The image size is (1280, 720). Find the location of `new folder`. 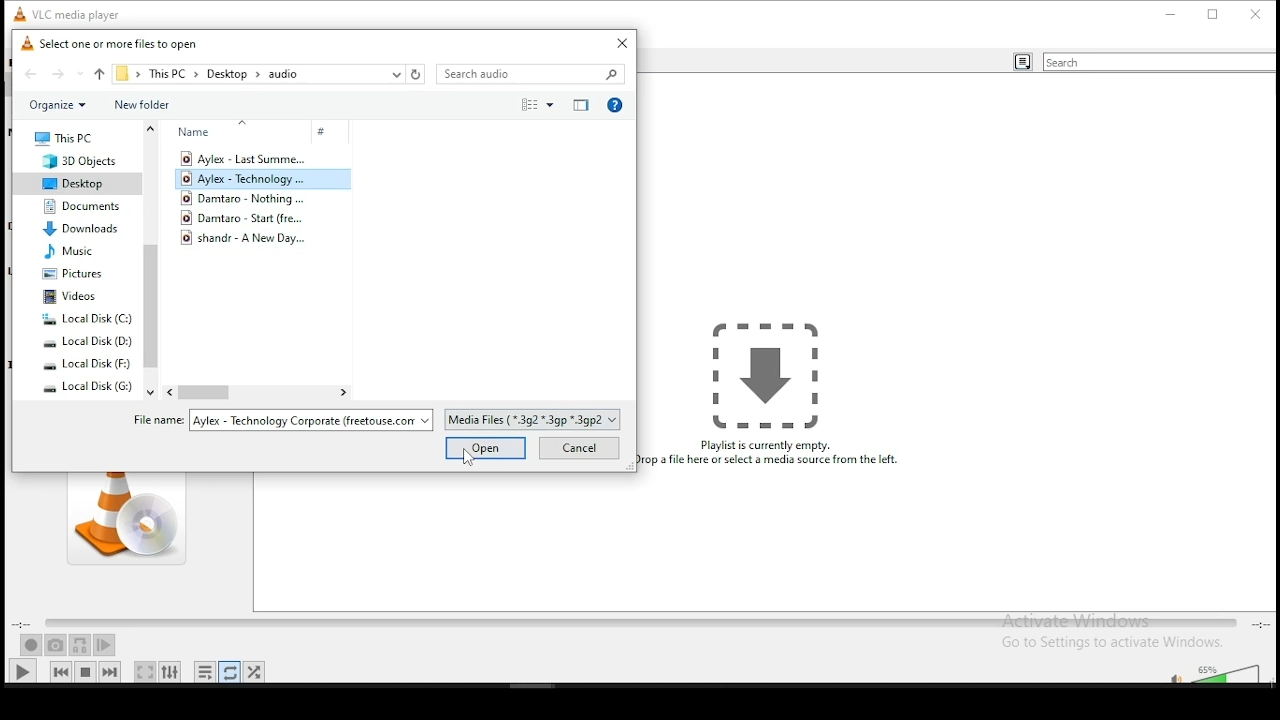

new folder is located at coordinates (144, 105).